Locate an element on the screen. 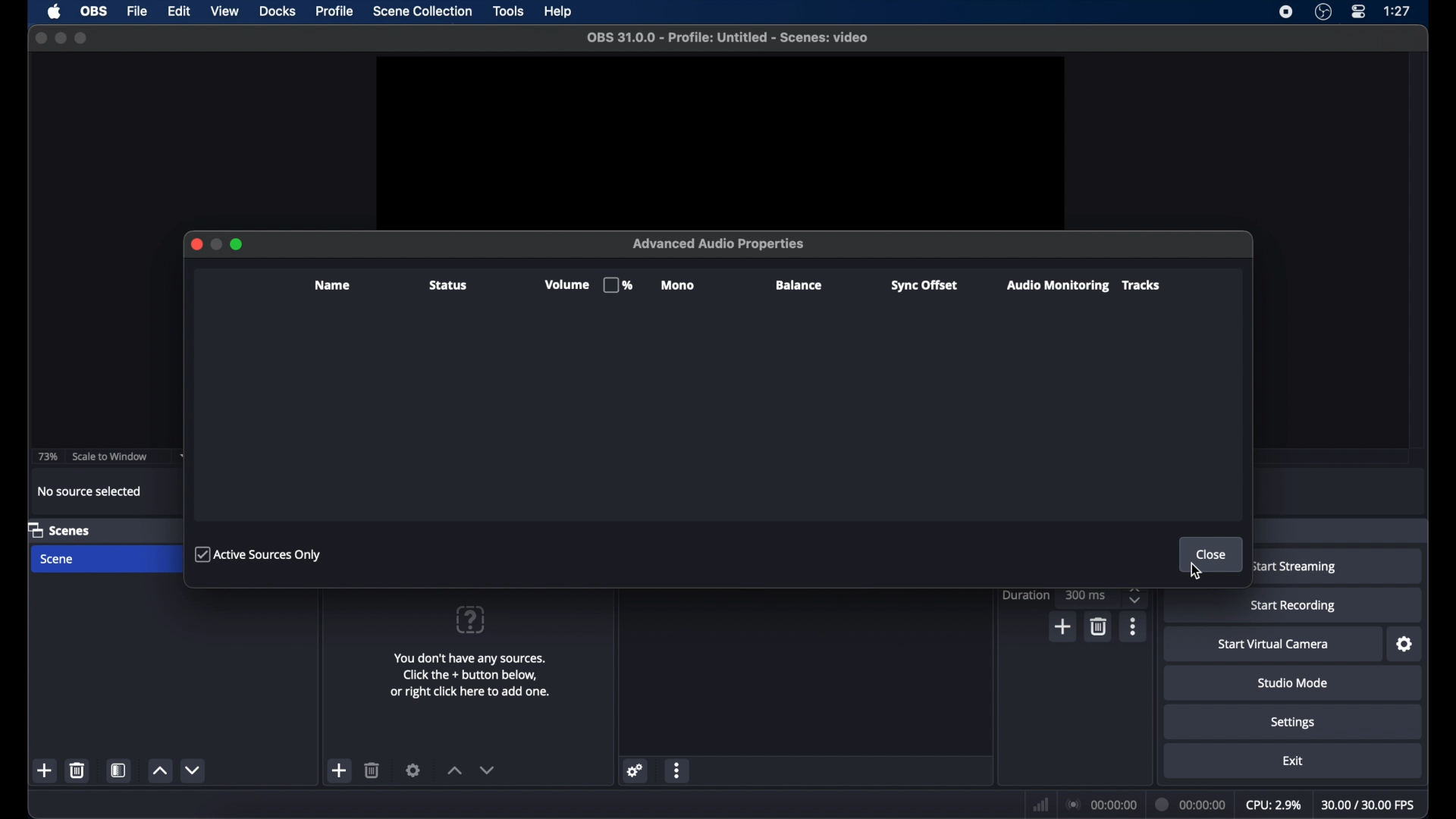  cursor is located at coordinates (1197, 570).